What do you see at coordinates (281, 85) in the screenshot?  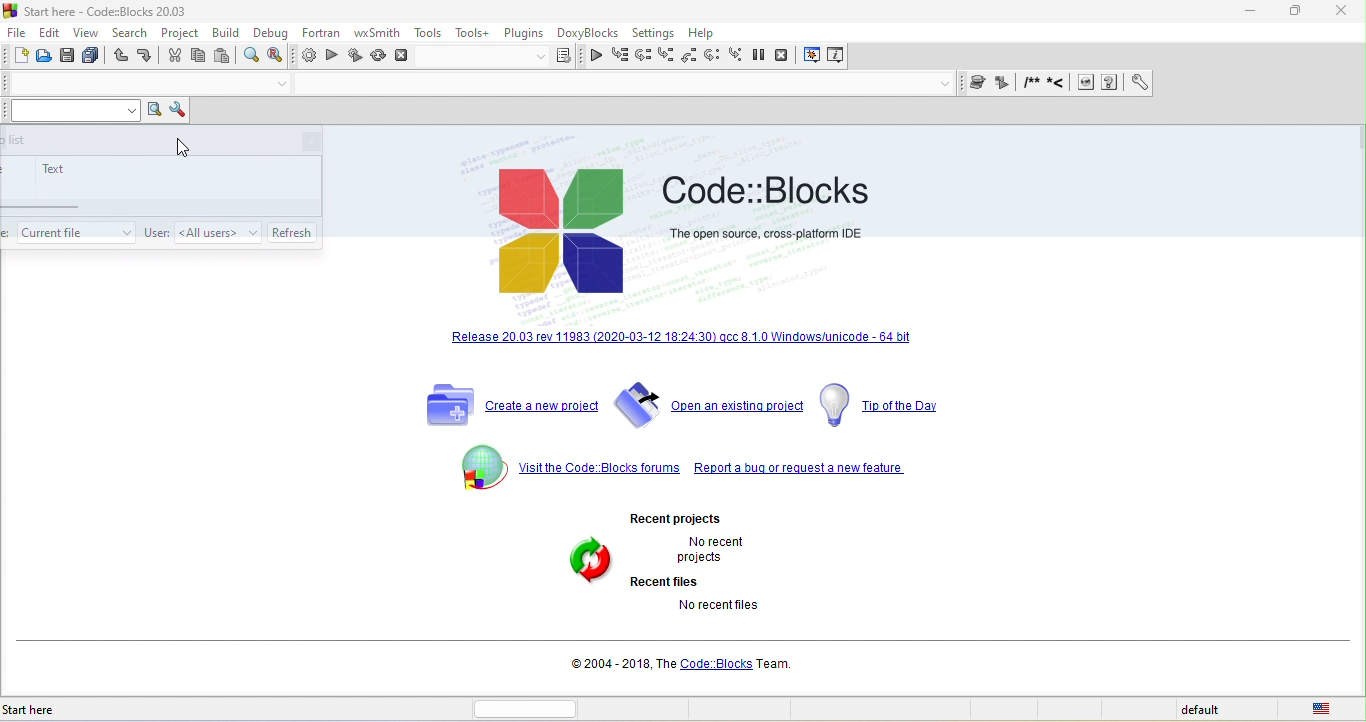 I see `drop down` at bounding box center [281, 85].